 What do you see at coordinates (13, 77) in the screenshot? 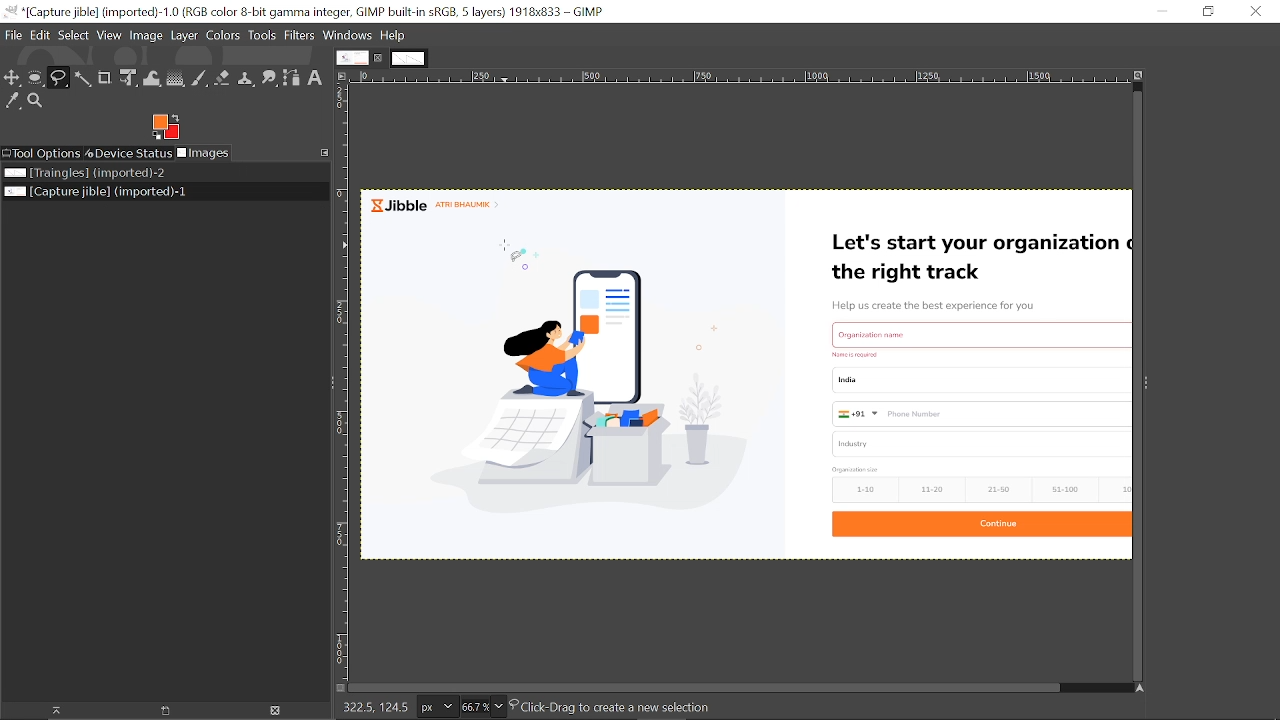
I see `Move tool` at bounding box center [13, 77].